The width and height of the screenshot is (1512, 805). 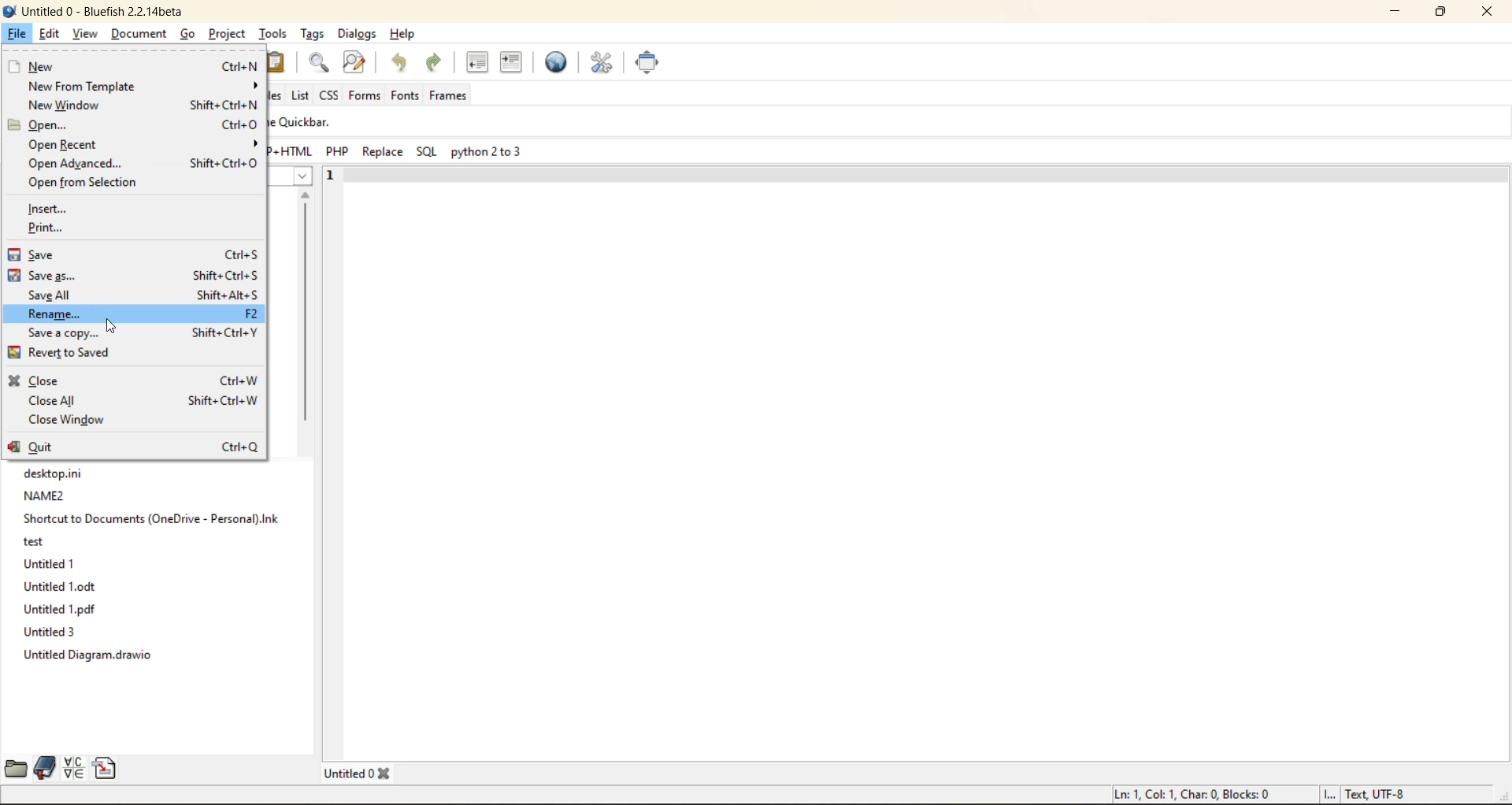 What do you see at coordinates (124, 322) in the screenshot?
I see `cursor` at bounding box center [124, 322].